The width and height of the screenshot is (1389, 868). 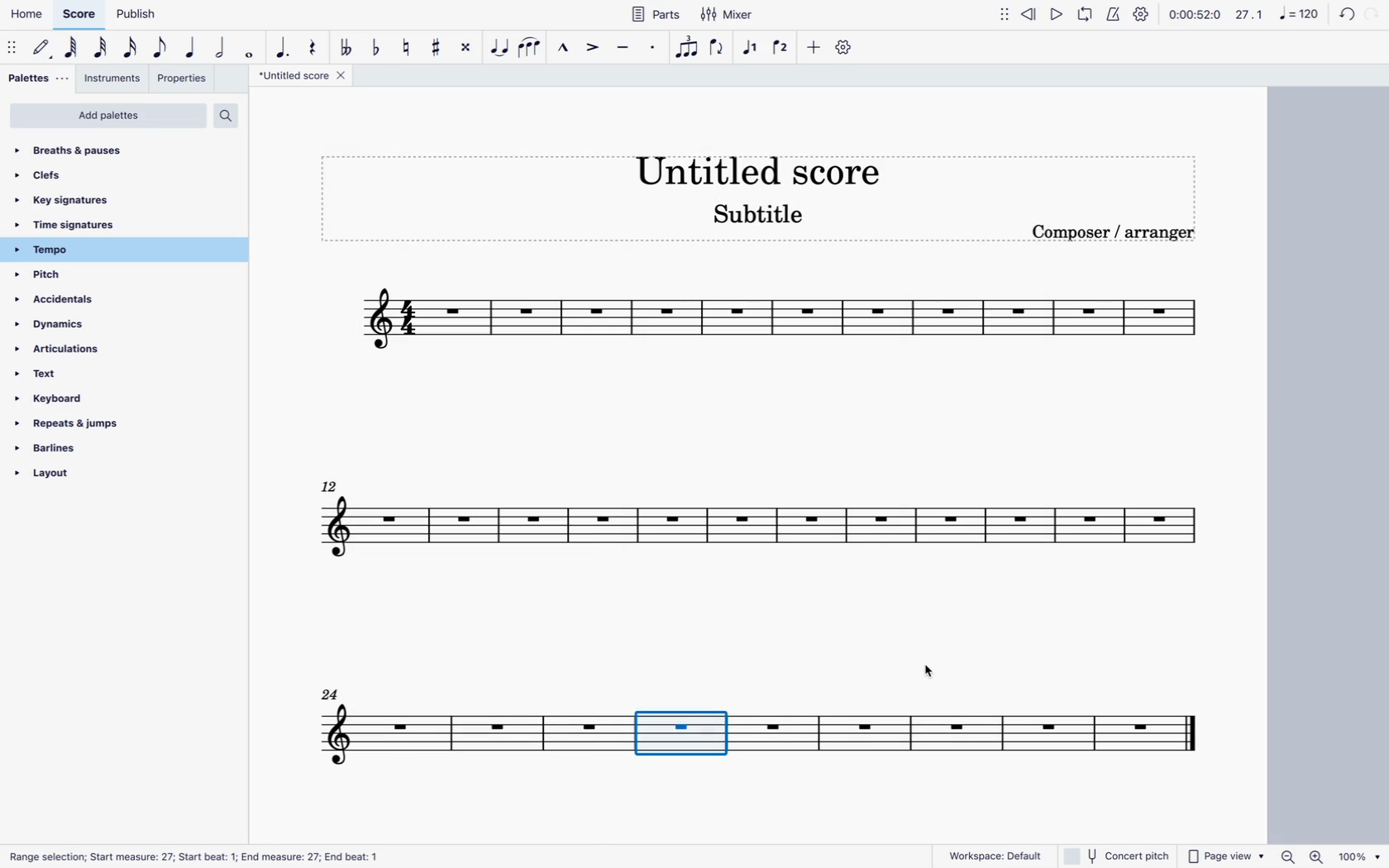 What do you see at coordinates (765, 322) in the screenshot?
I see `score` at bounding box center [765, 322].